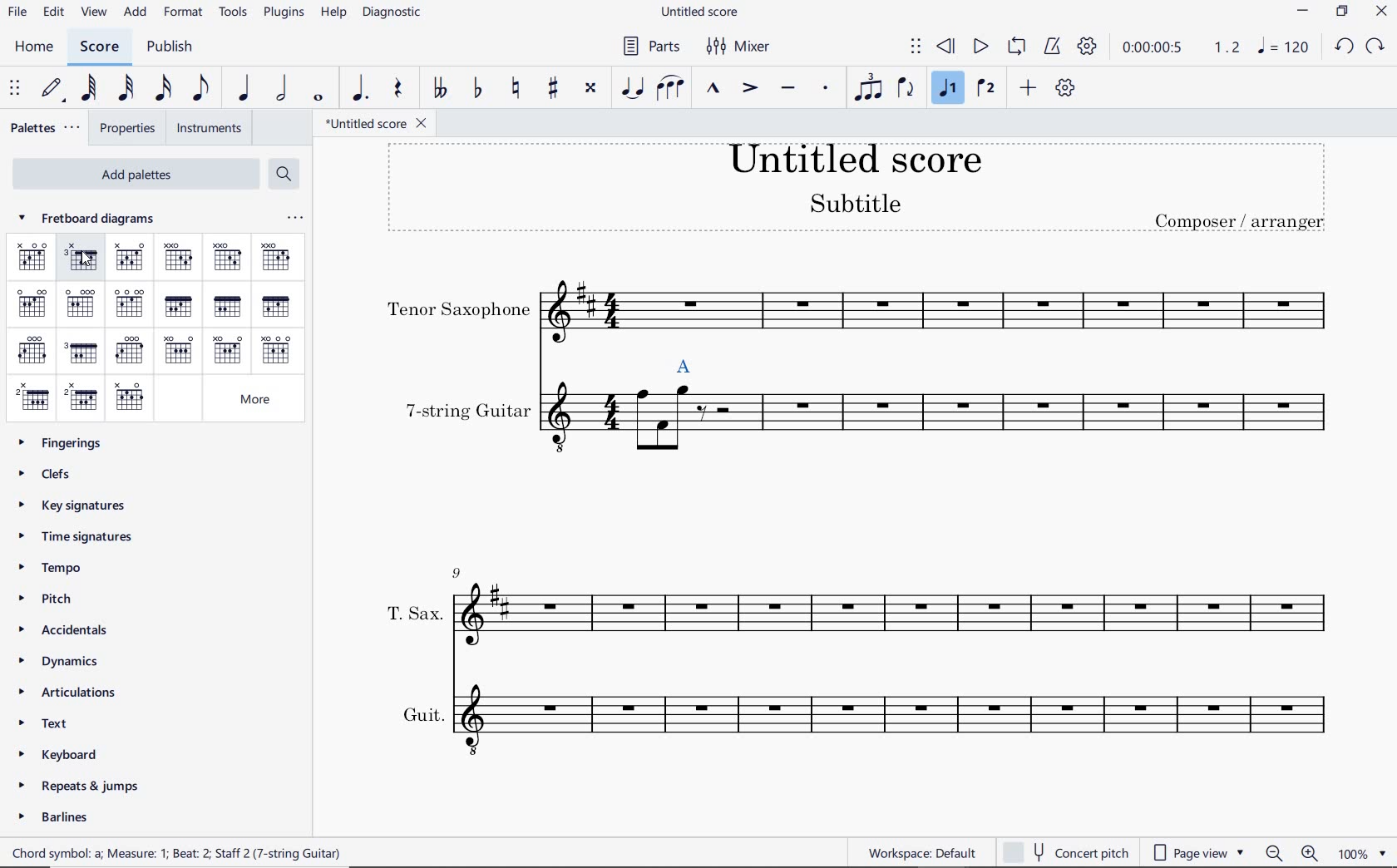 The height and width of the screenshot is (868, 1397). What do you see at coordinates (67, 756) in the screenshot?
I see `KEYBOARD` at bounding box center [67, 756].